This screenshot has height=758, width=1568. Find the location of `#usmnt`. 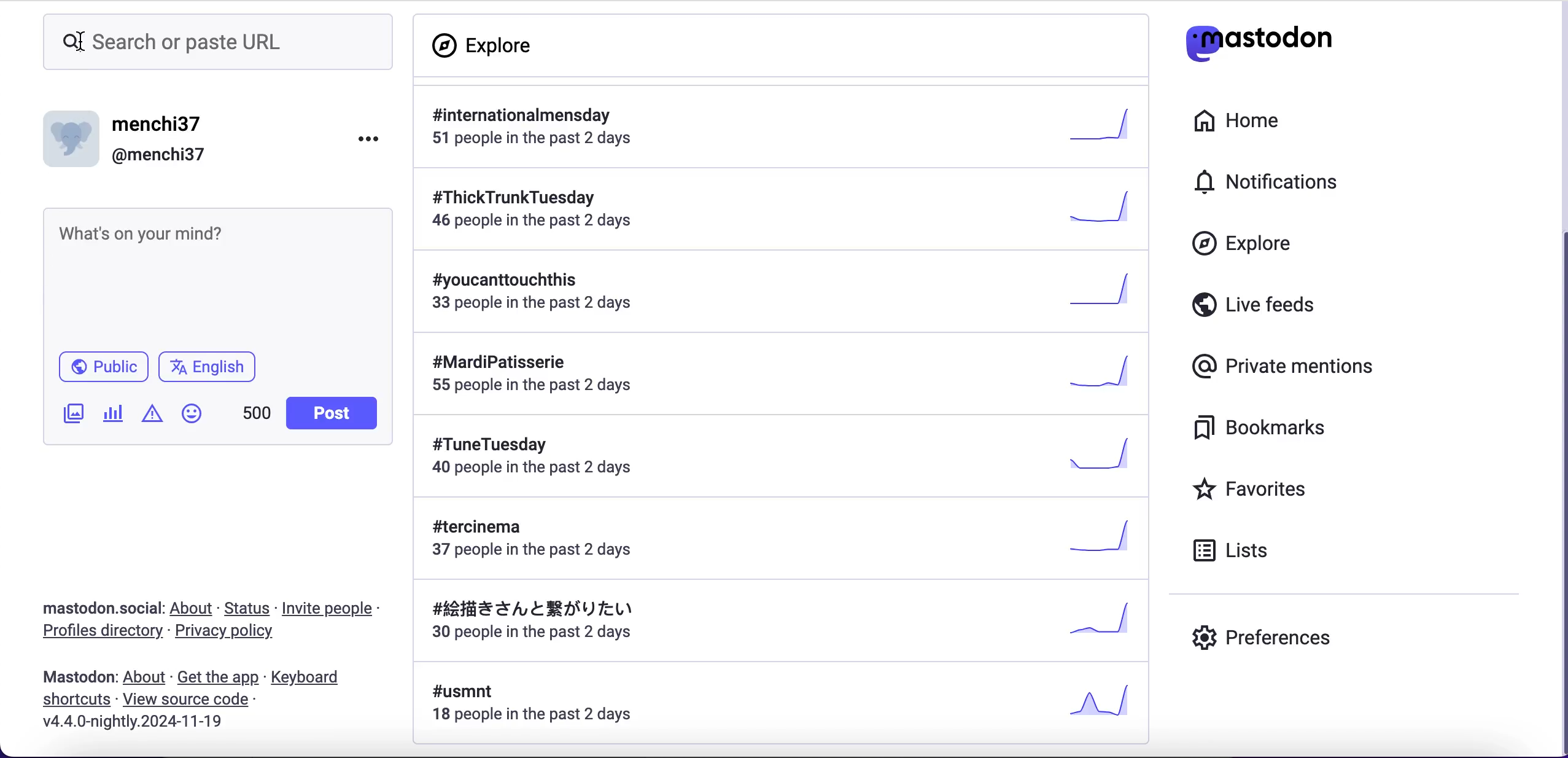

#usmnt is located at coordinates (789, 706).